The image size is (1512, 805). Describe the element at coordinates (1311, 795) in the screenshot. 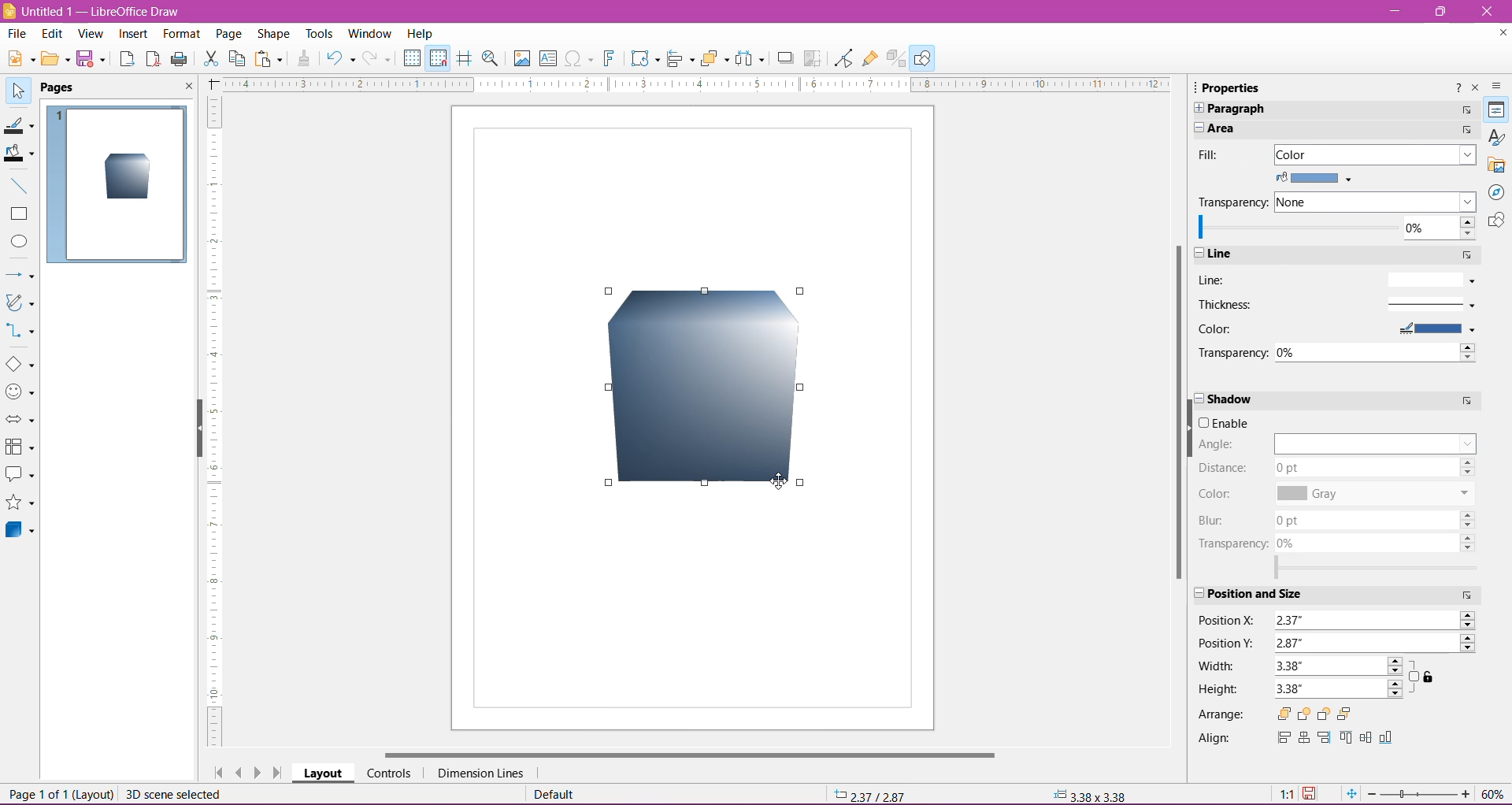

I see `Unsaved Changes` at that location.